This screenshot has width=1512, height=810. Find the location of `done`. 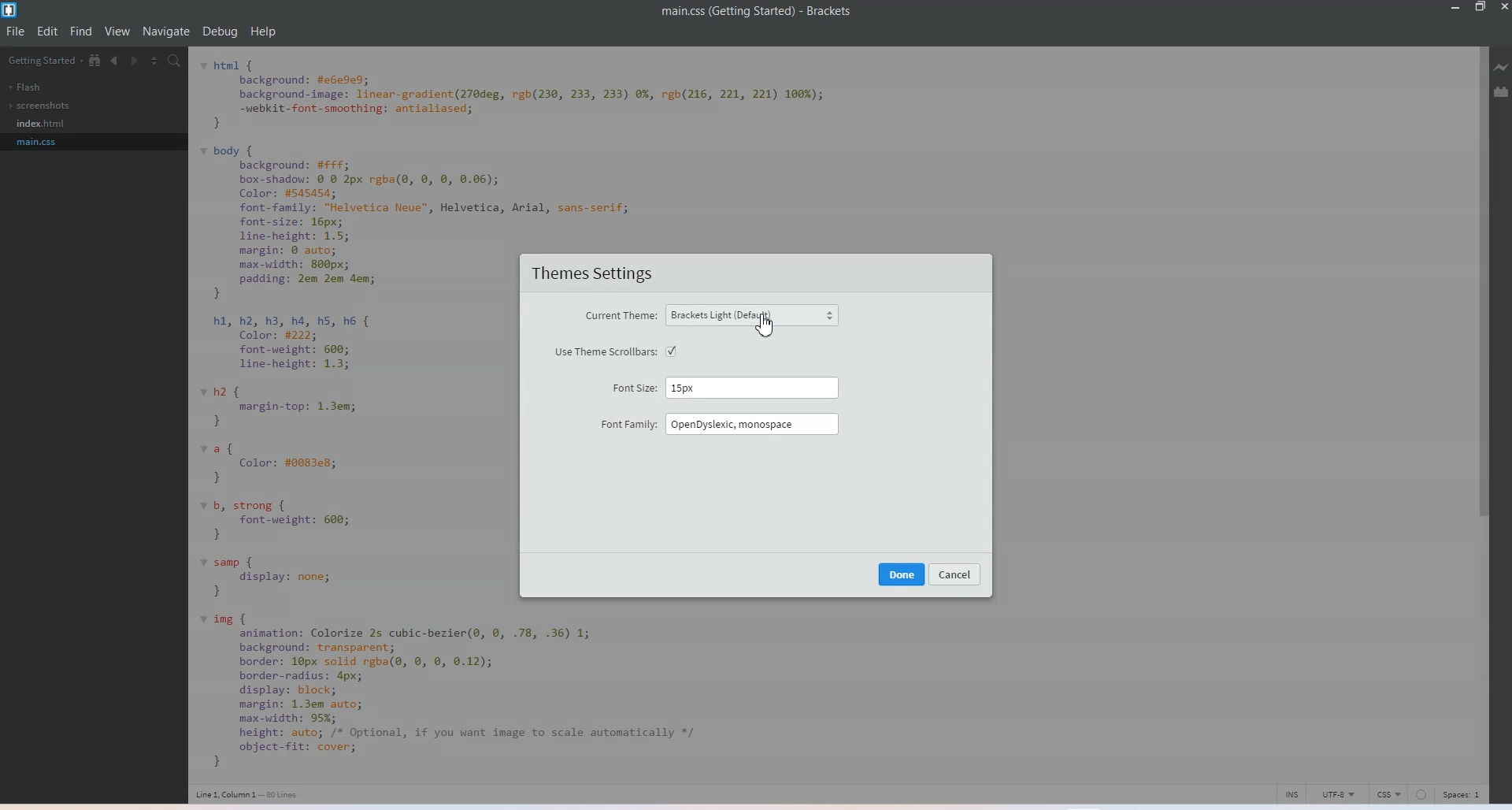

done is located at coordinates (901, 574).